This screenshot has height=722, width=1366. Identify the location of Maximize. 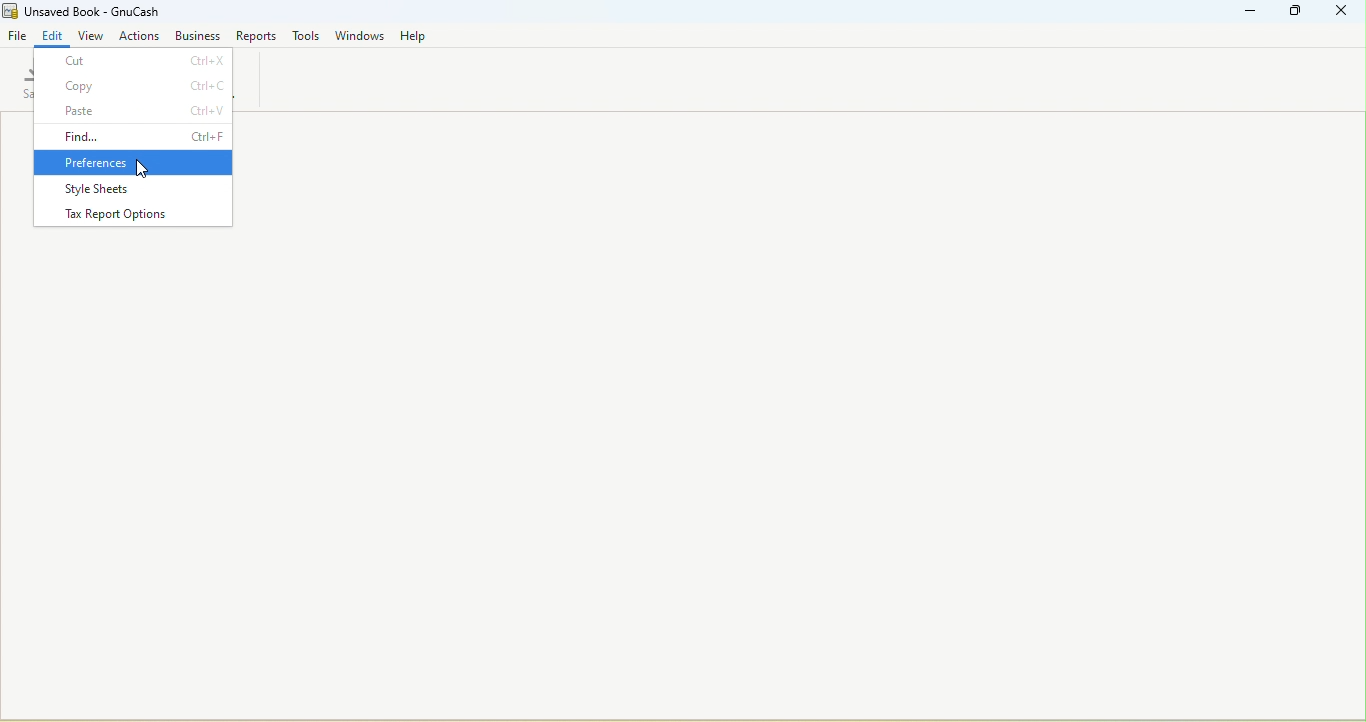
(1295, 13).